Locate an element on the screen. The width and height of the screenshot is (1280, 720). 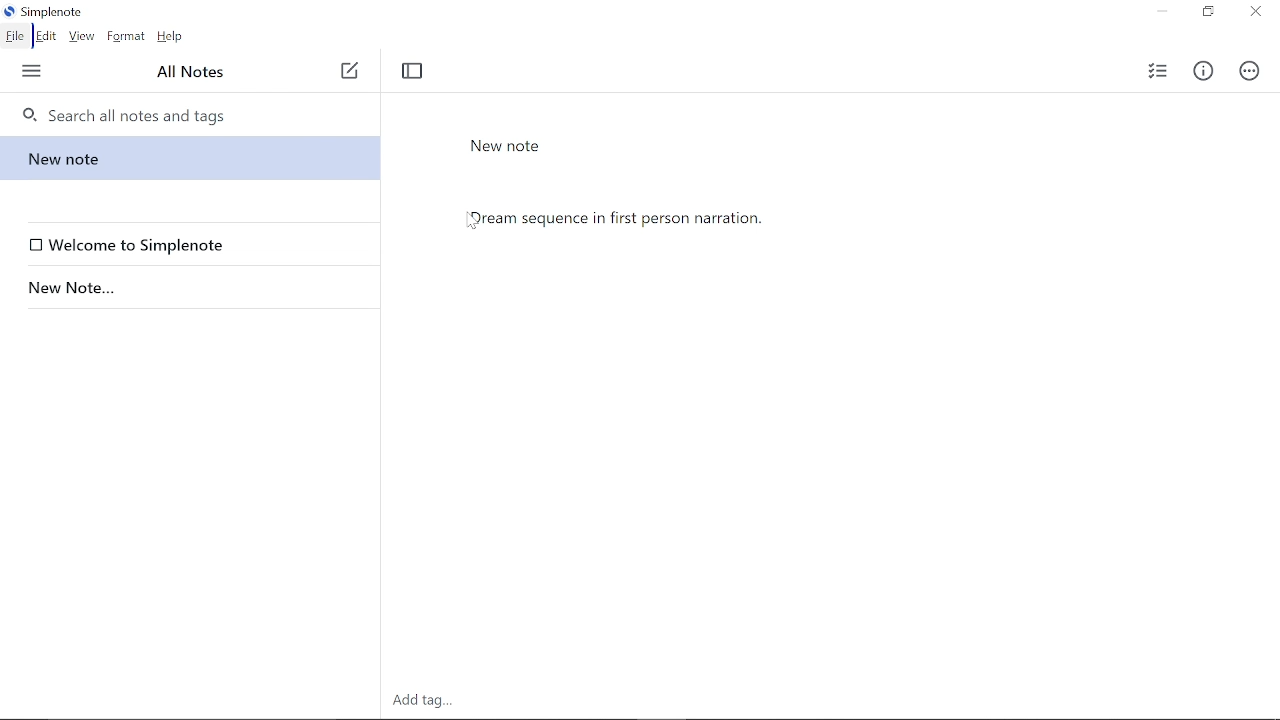
Search all notes and tags is located at coordinates (186, 113).